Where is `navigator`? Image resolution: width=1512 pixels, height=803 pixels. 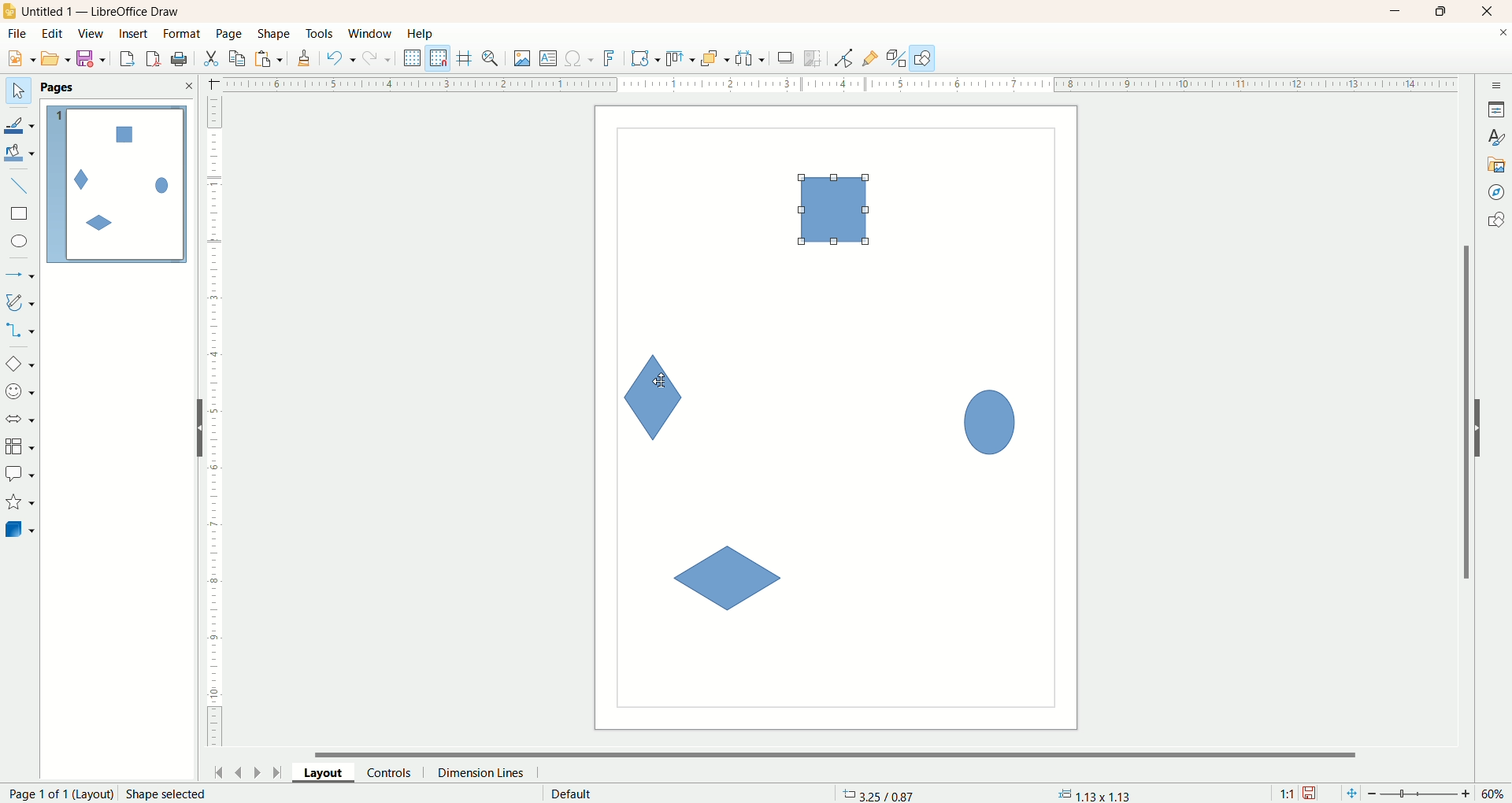 navigator is located at coordinates (1497, 193).